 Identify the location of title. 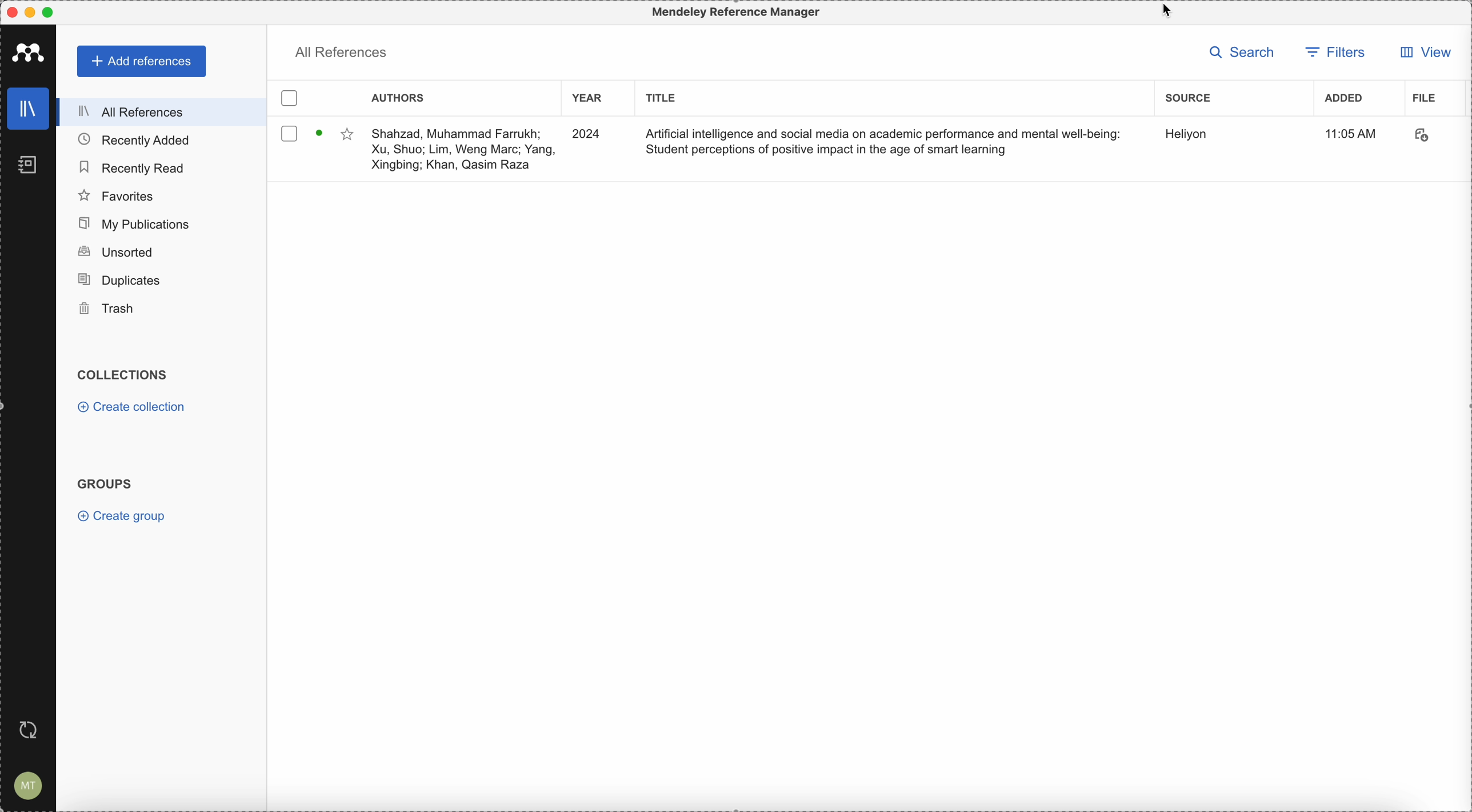
(663, 99).